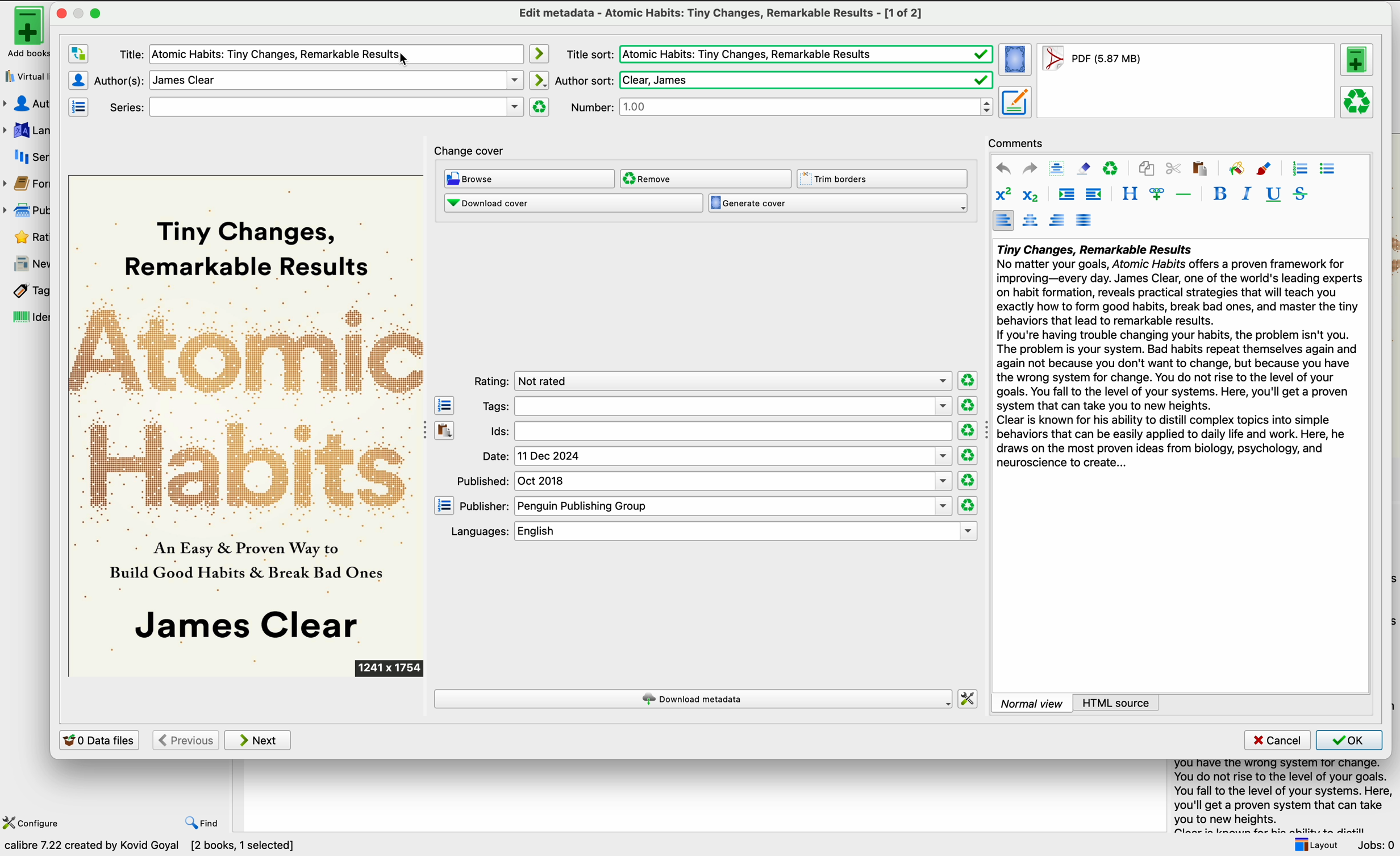  I want to click on redo, so click(1030, 169).